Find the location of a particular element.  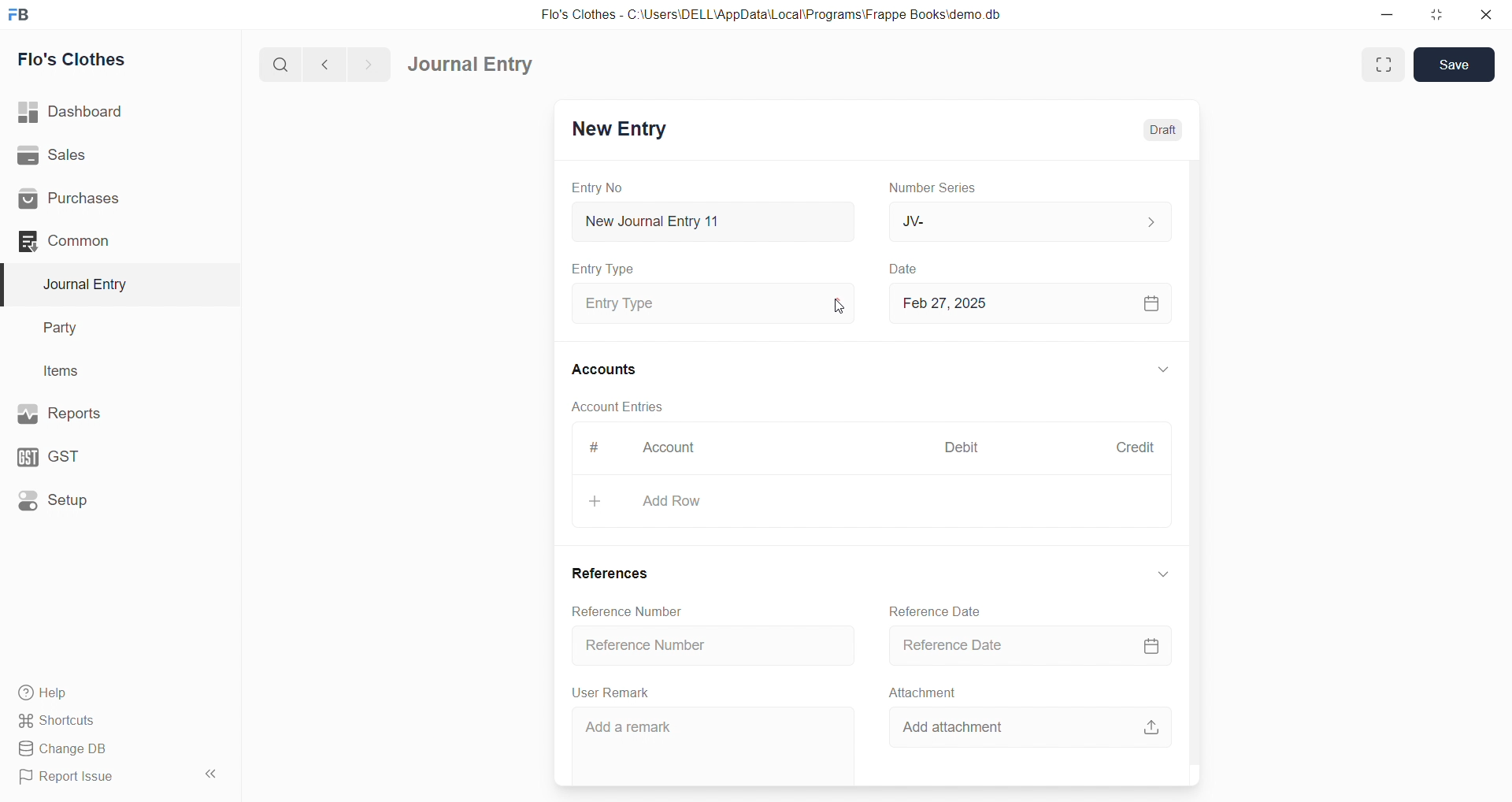

Setup is located at coordinates (91, 503).